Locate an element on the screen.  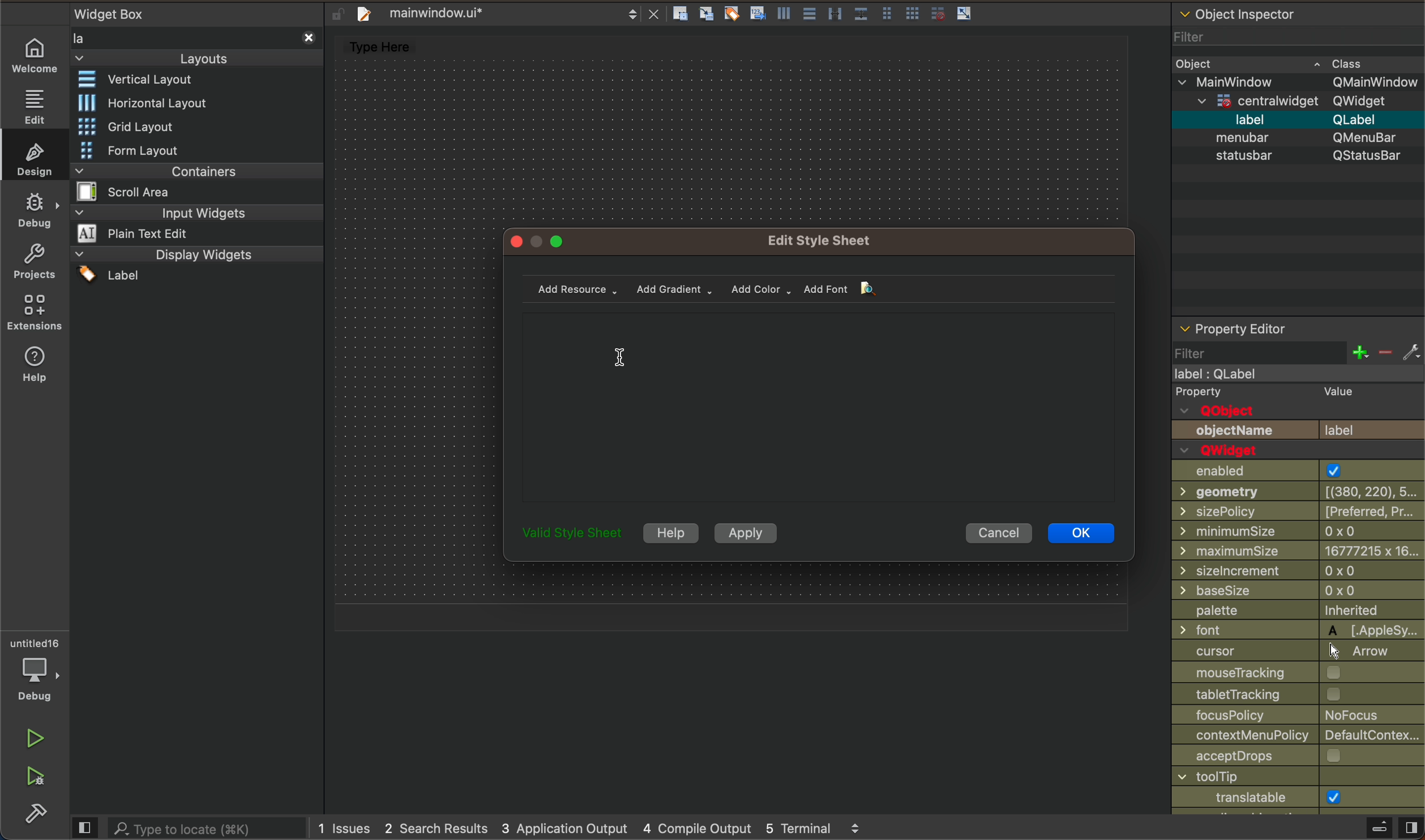
run abd debug is located at coordinates (41, 783).